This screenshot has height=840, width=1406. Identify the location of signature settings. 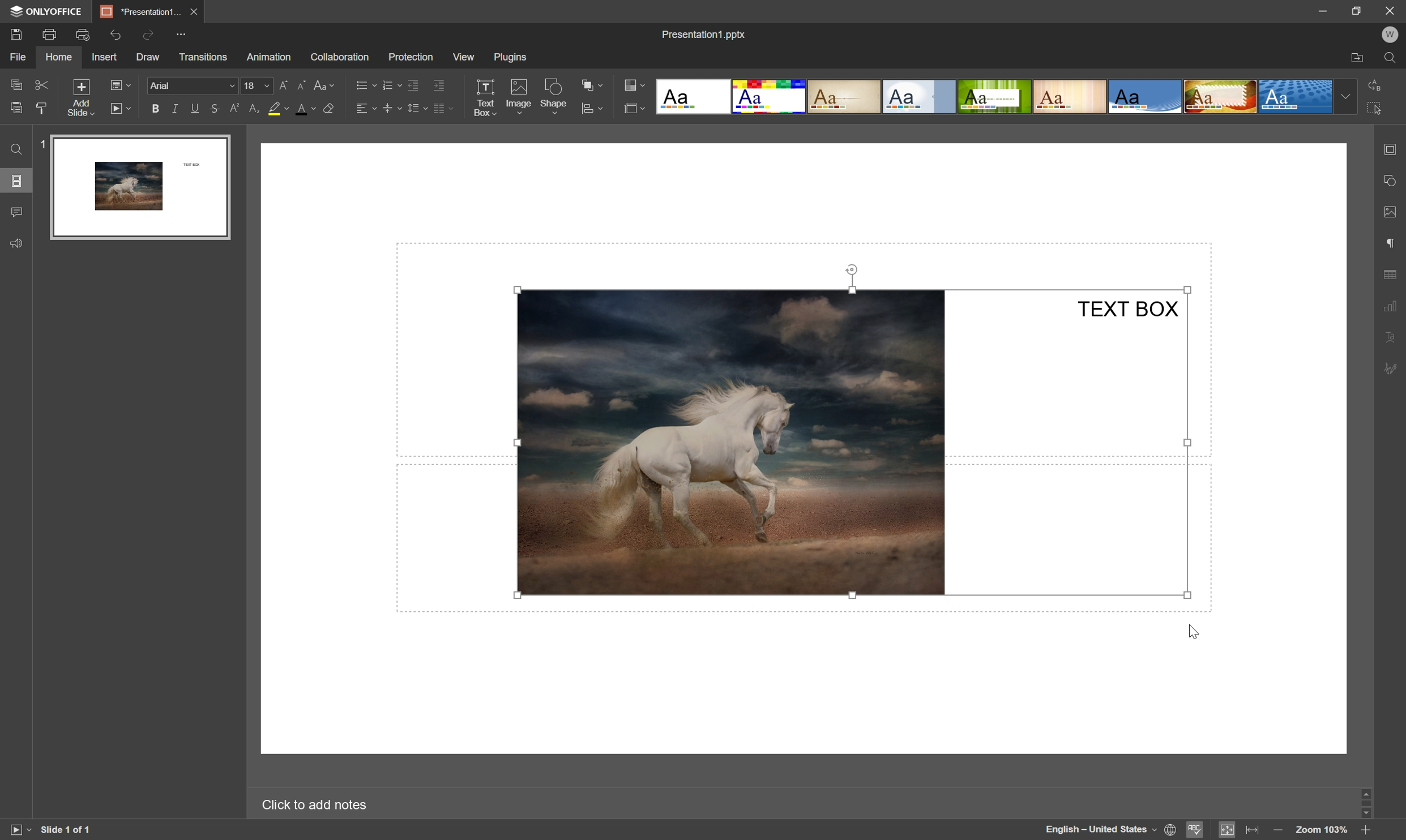
(1390, 371).